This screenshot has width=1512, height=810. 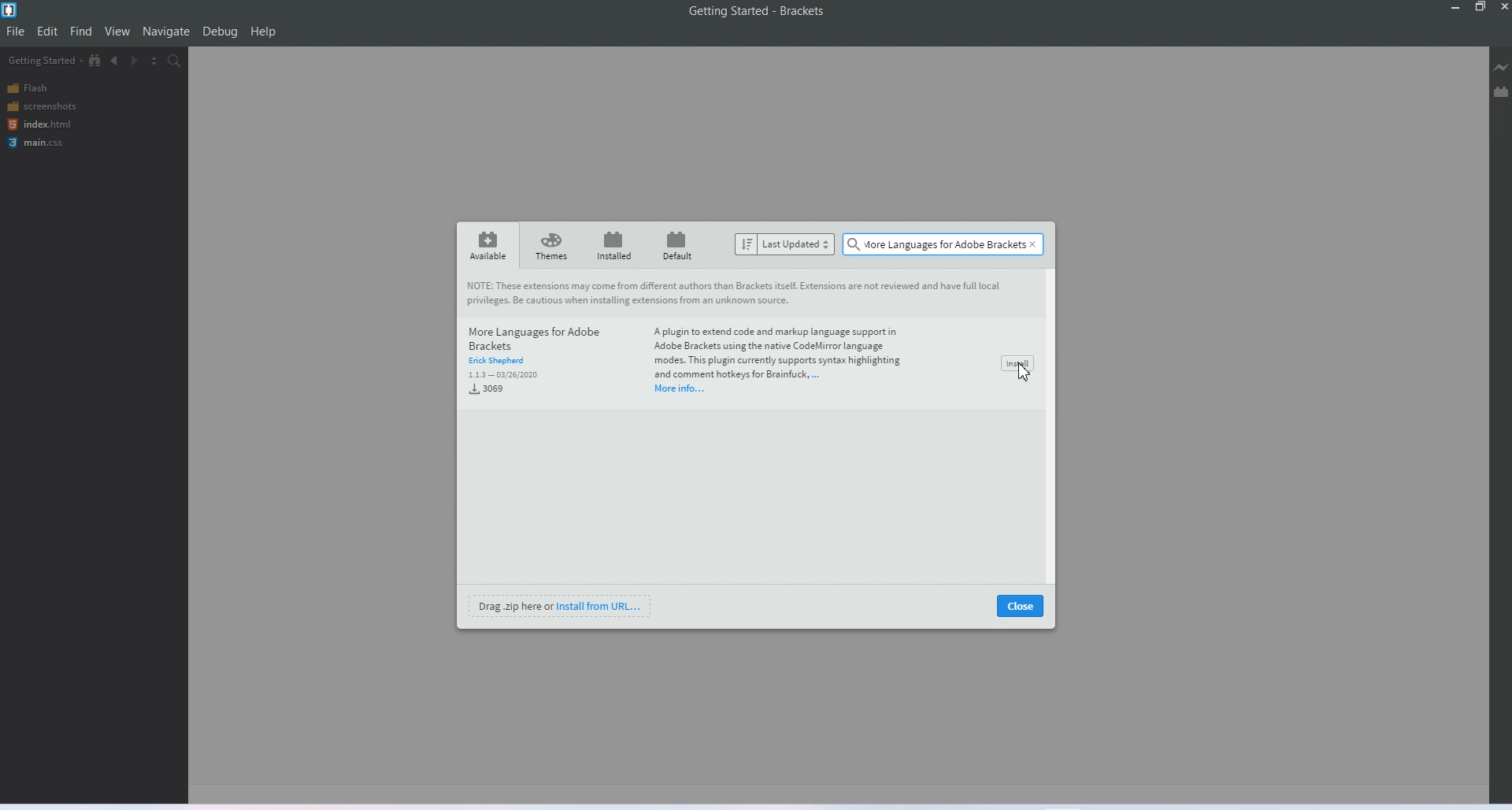 What do you see at coordinates (502, 384) in the screenshot?
I see `Download kbs` at bounding box center [502, 384].